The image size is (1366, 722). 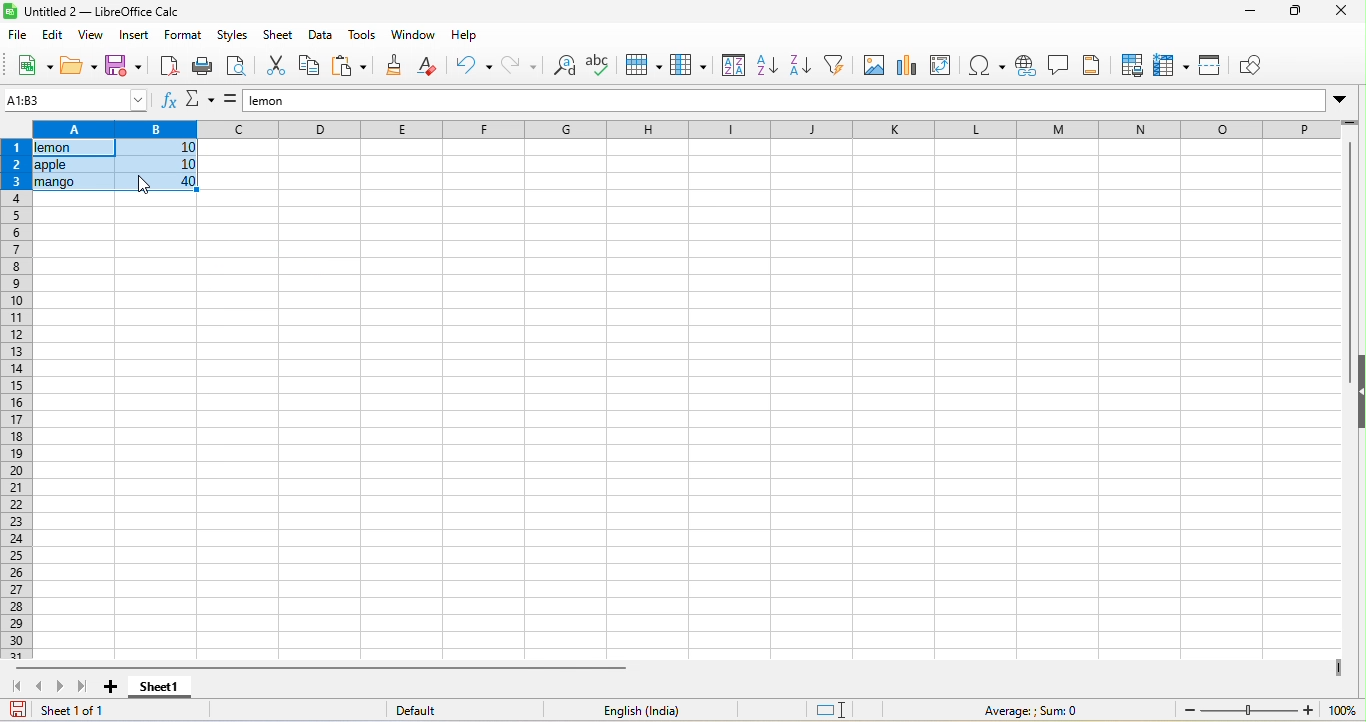 I want to click on clone formatting, so click(x=392, y=67).